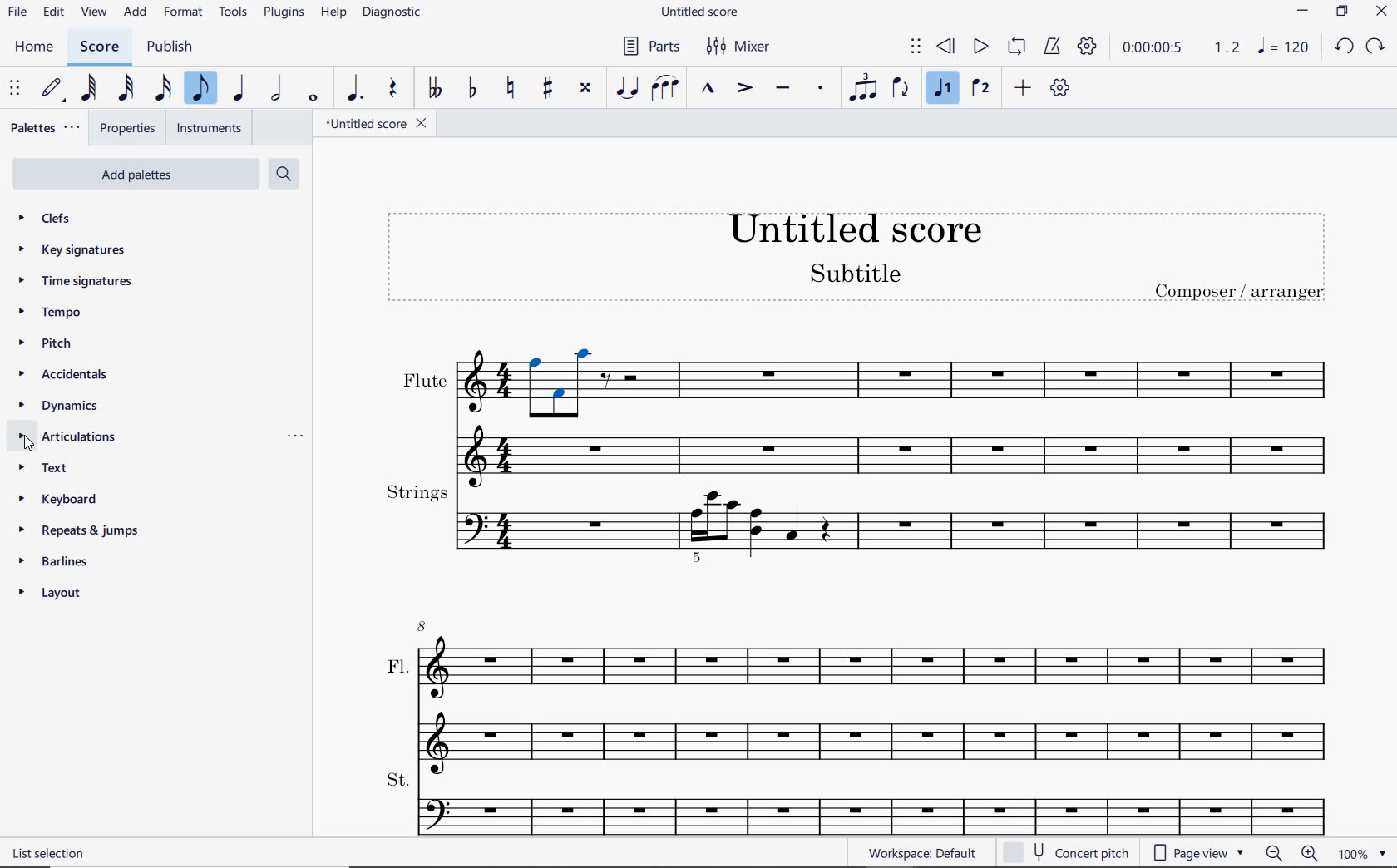 The image size is (1397, 868). I want to click on FORMAT, so click(186, 14).